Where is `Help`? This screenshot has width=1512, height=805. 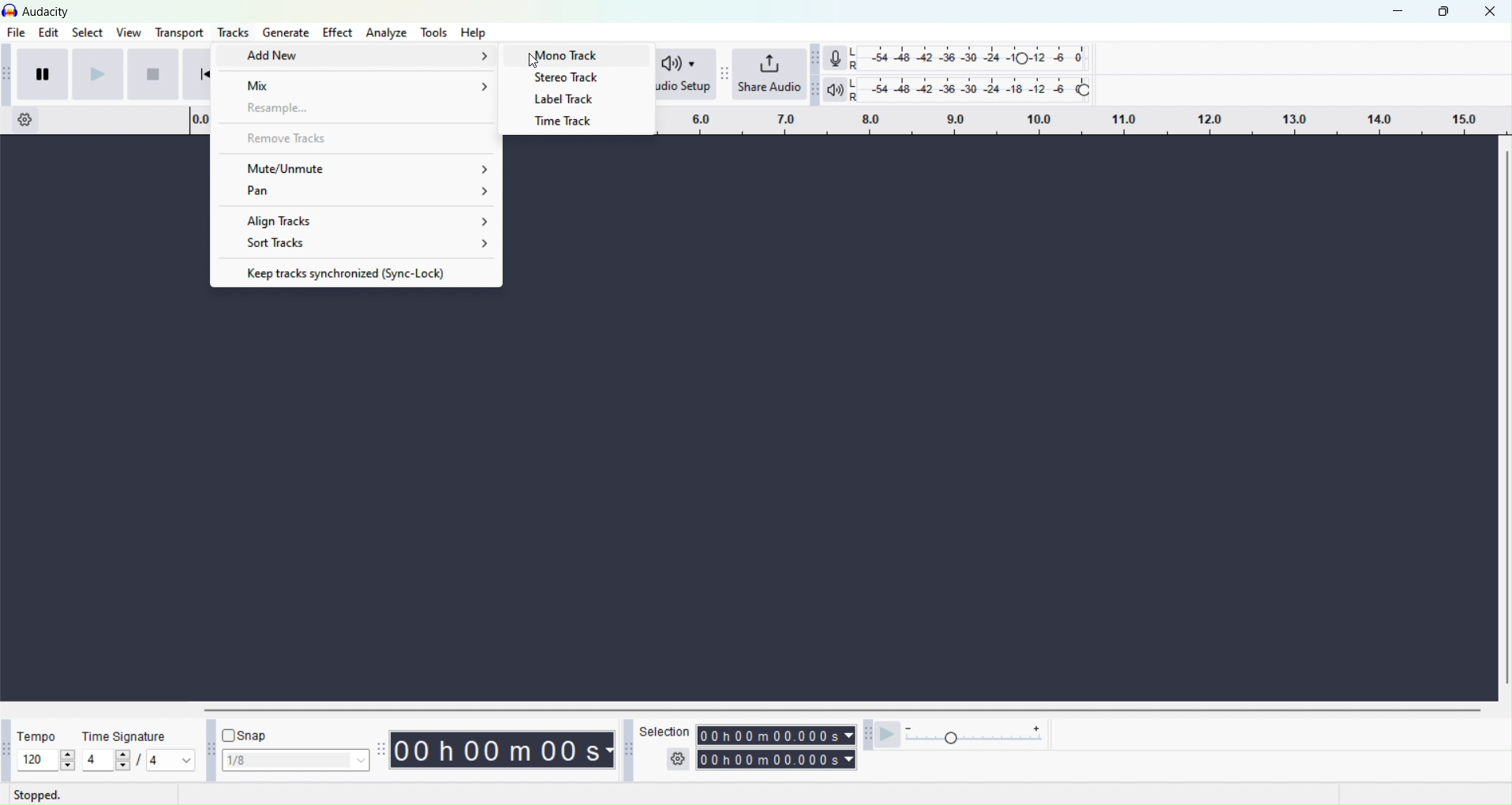
Help is located at coordinates (473, 32).